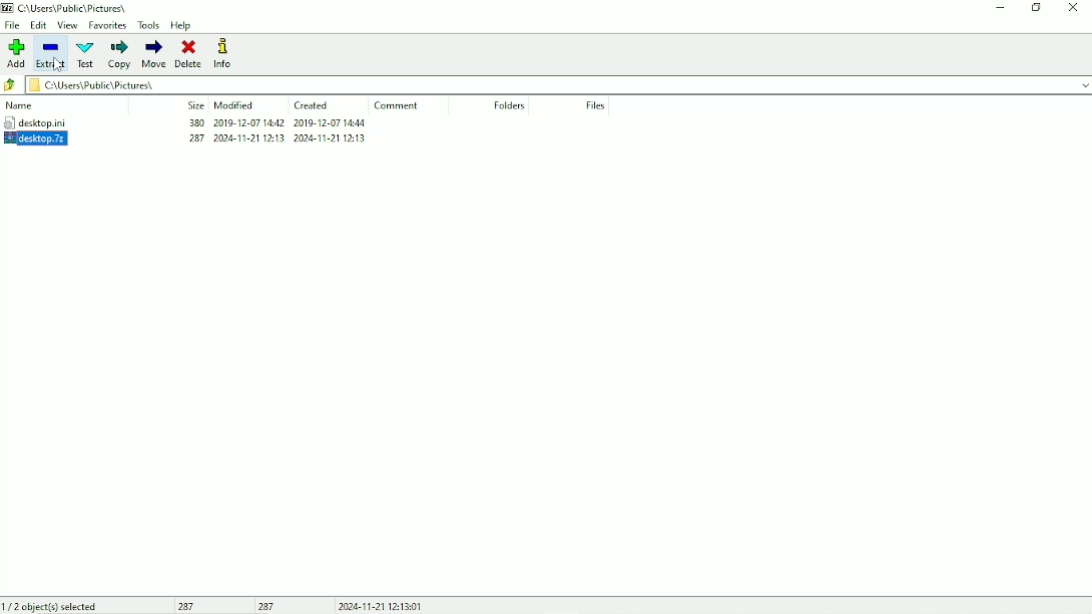 The height and width of the screenshot is (614, 1092). I want to click on Extract, so click(52, 55).